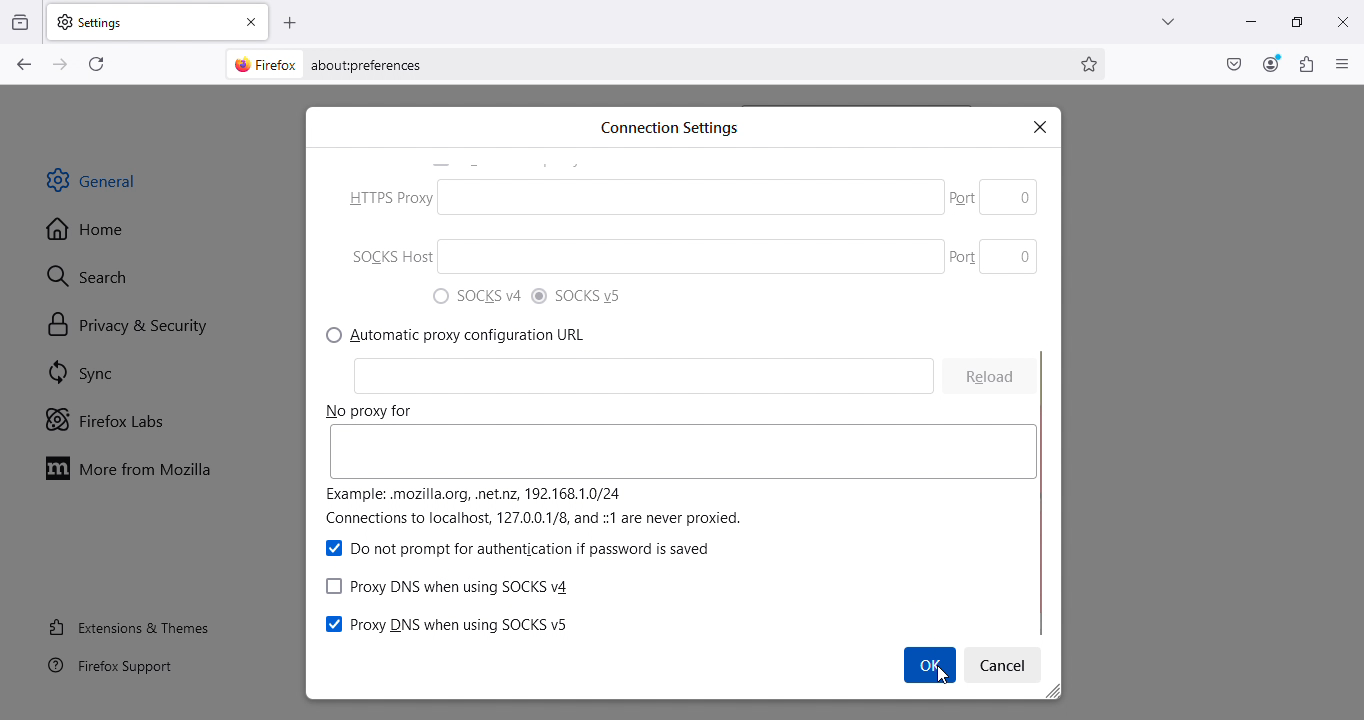 This screenshot has height=720, width=1364. Describe the element at coordinates (686, 127) in the screenshot. I see `Search bar` at that location.